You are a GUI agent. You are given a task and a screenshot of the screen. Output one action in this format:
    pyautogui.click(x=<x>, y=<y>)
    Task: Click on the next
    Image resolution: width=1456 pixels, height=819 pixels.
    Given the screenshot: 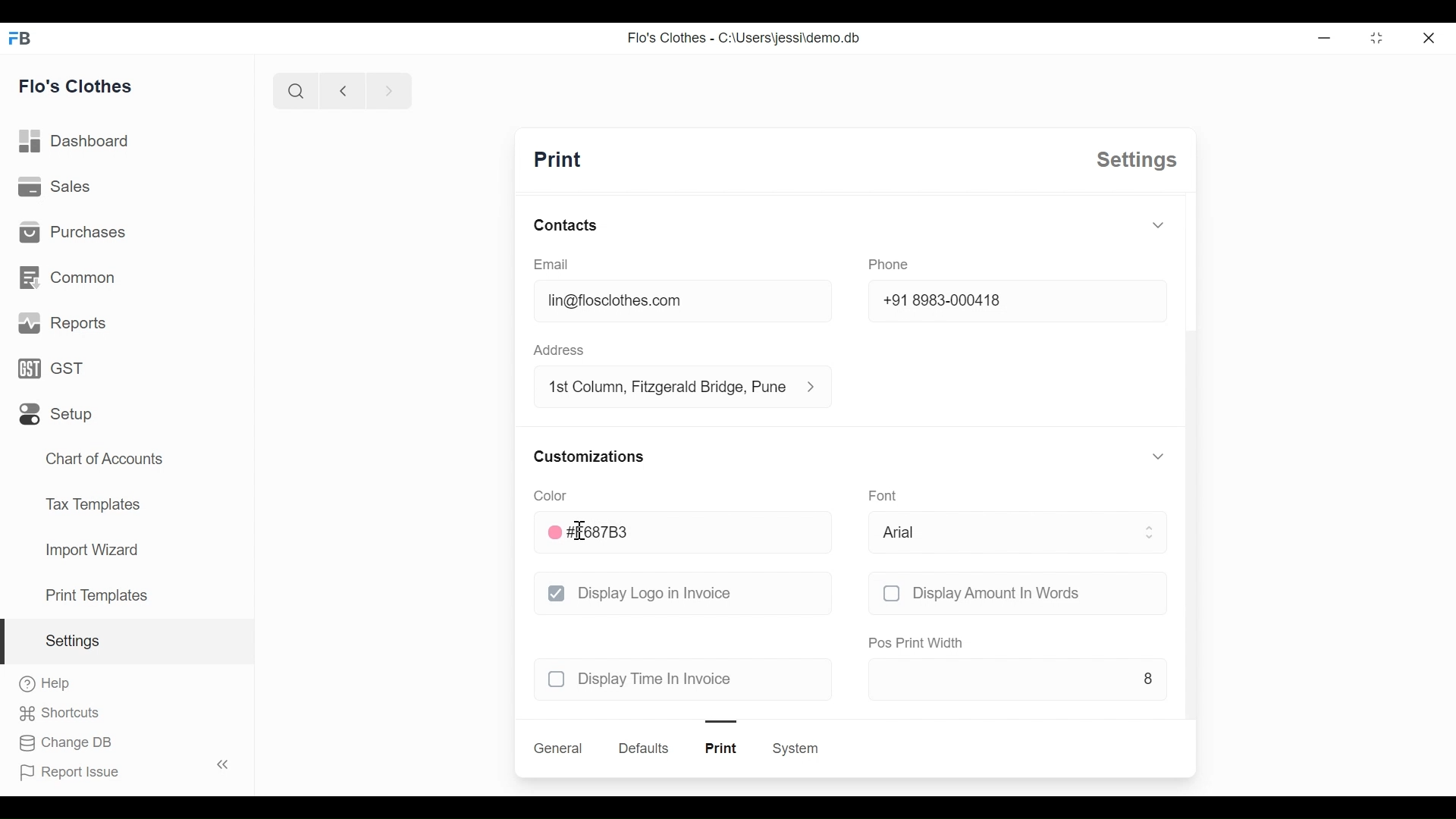 What is the action you would take?
    pyautogui.click(x=390, y=90)
    